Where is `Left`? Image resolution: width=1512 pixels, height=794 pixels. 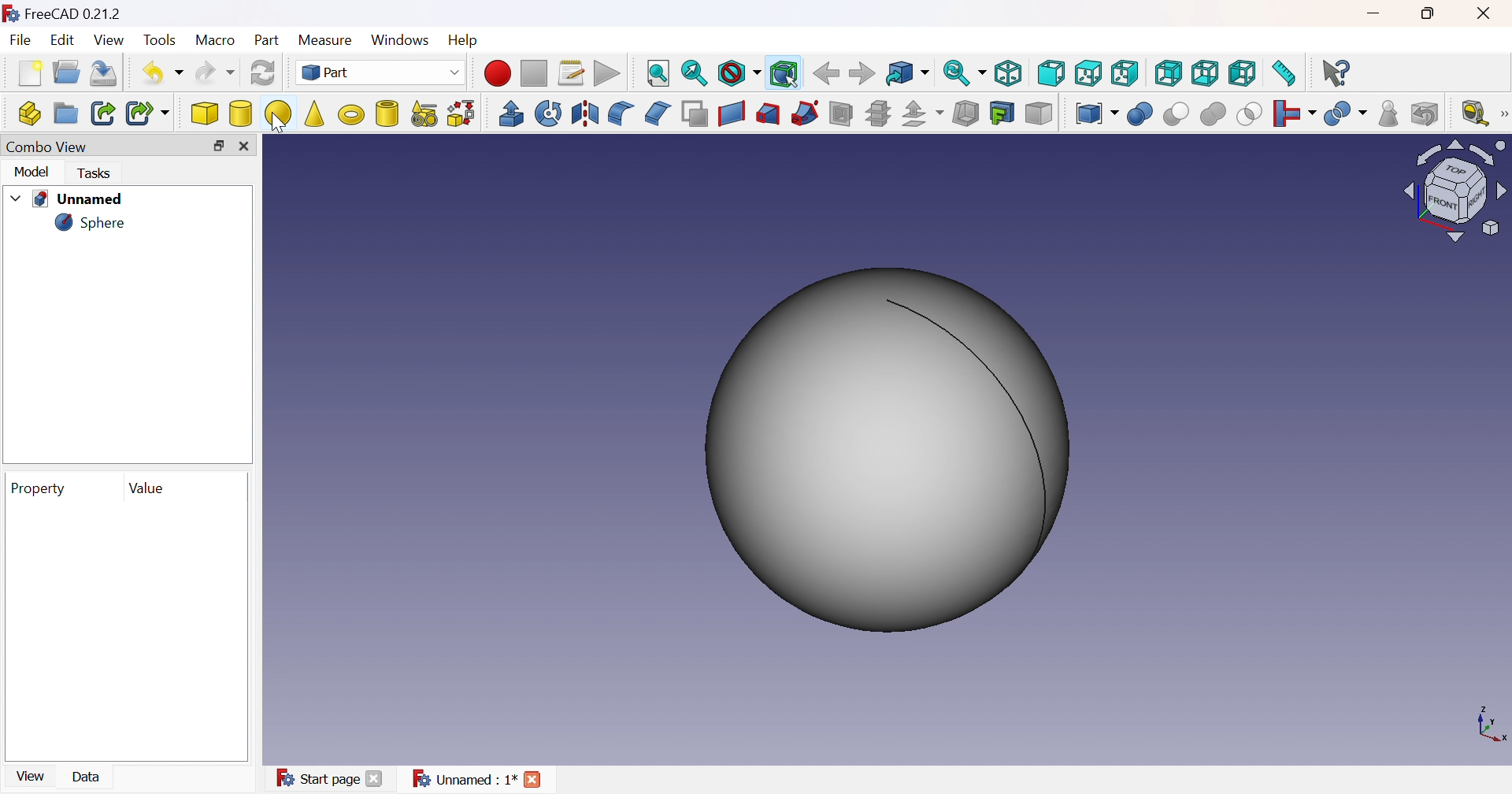 Left is located at coordinates (1241, 74).